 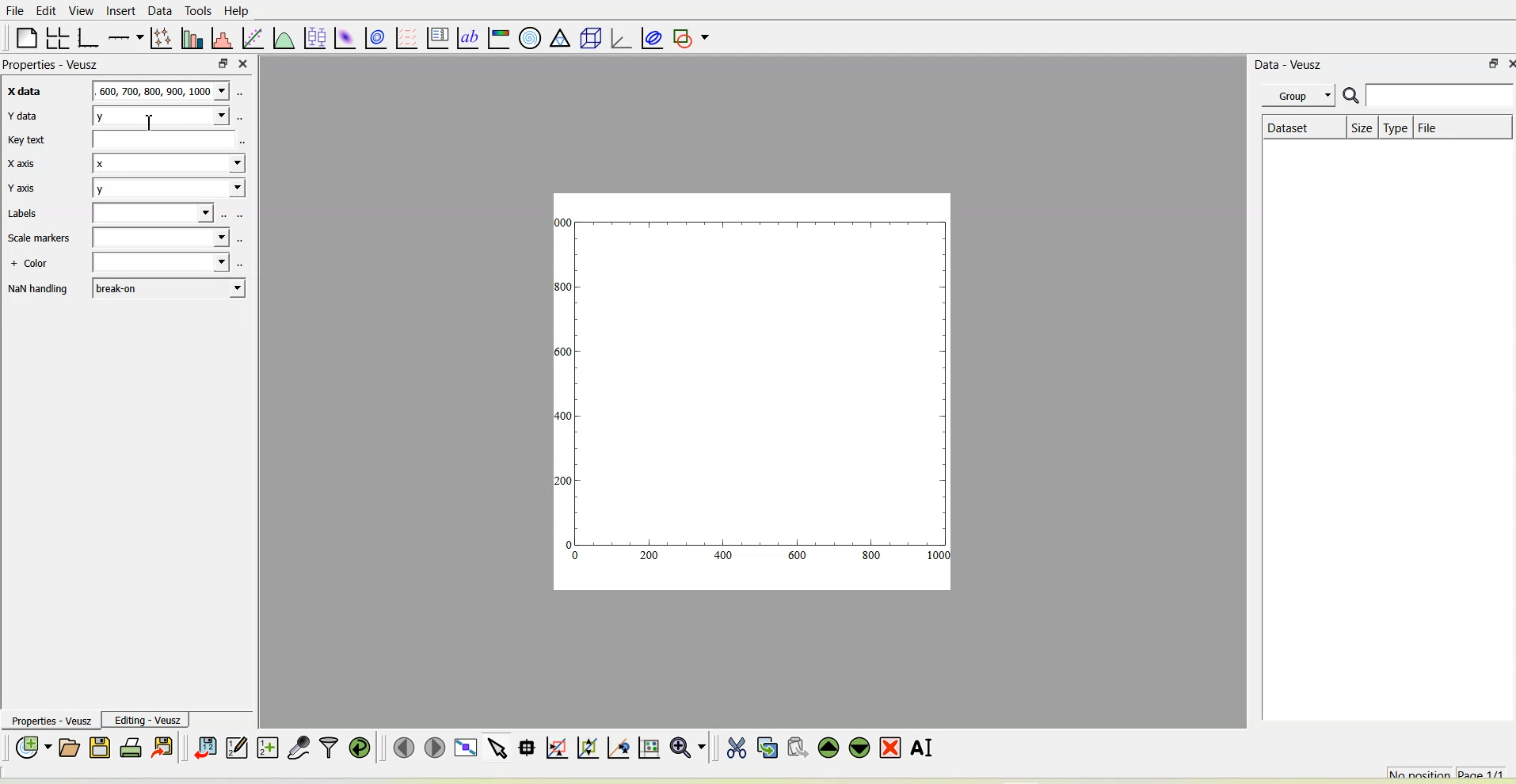 What do you see at coordinates (329, 748) in the screenshot?
I see `Filter data` at bounding box center [329, 748].